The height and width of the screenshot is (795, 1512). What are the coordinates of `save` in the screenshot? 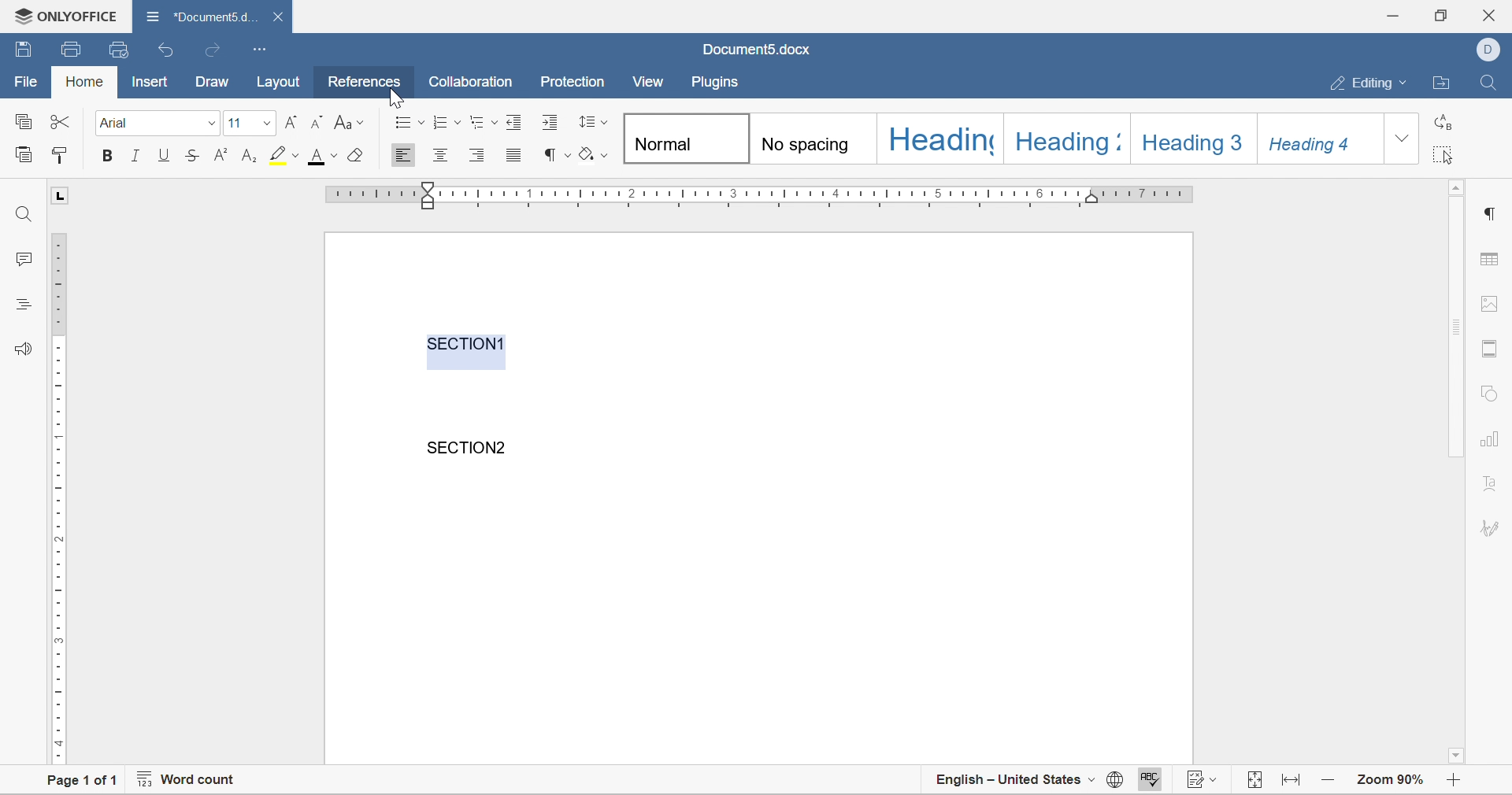 It's located at (72, 50).